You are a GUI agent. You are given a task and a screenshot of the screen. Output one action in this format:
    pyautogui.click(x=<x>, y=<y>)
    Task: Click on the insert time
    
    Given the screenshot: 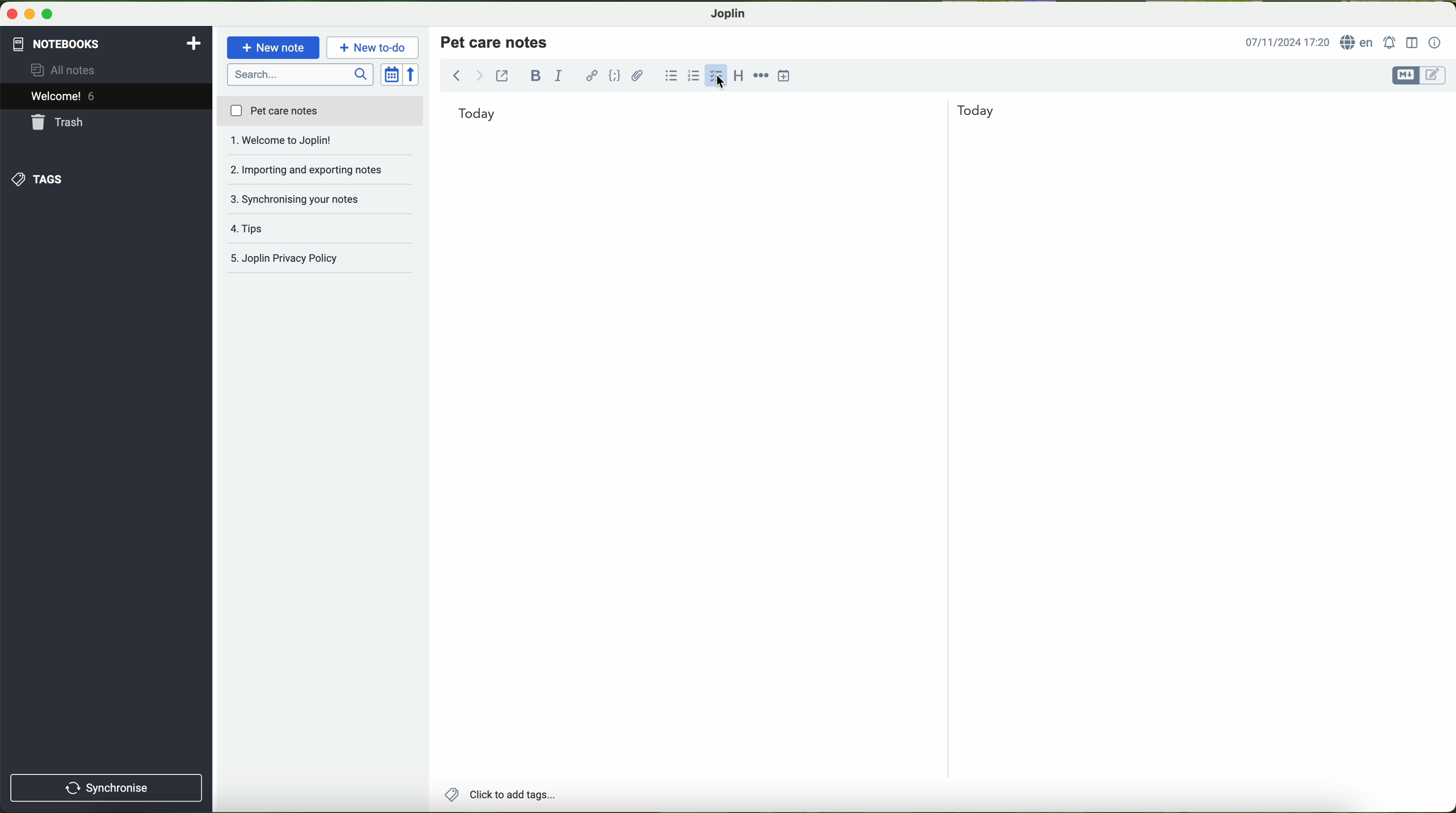 What is the action you would take?
    pyautogui.click(x=785, y=75)
    